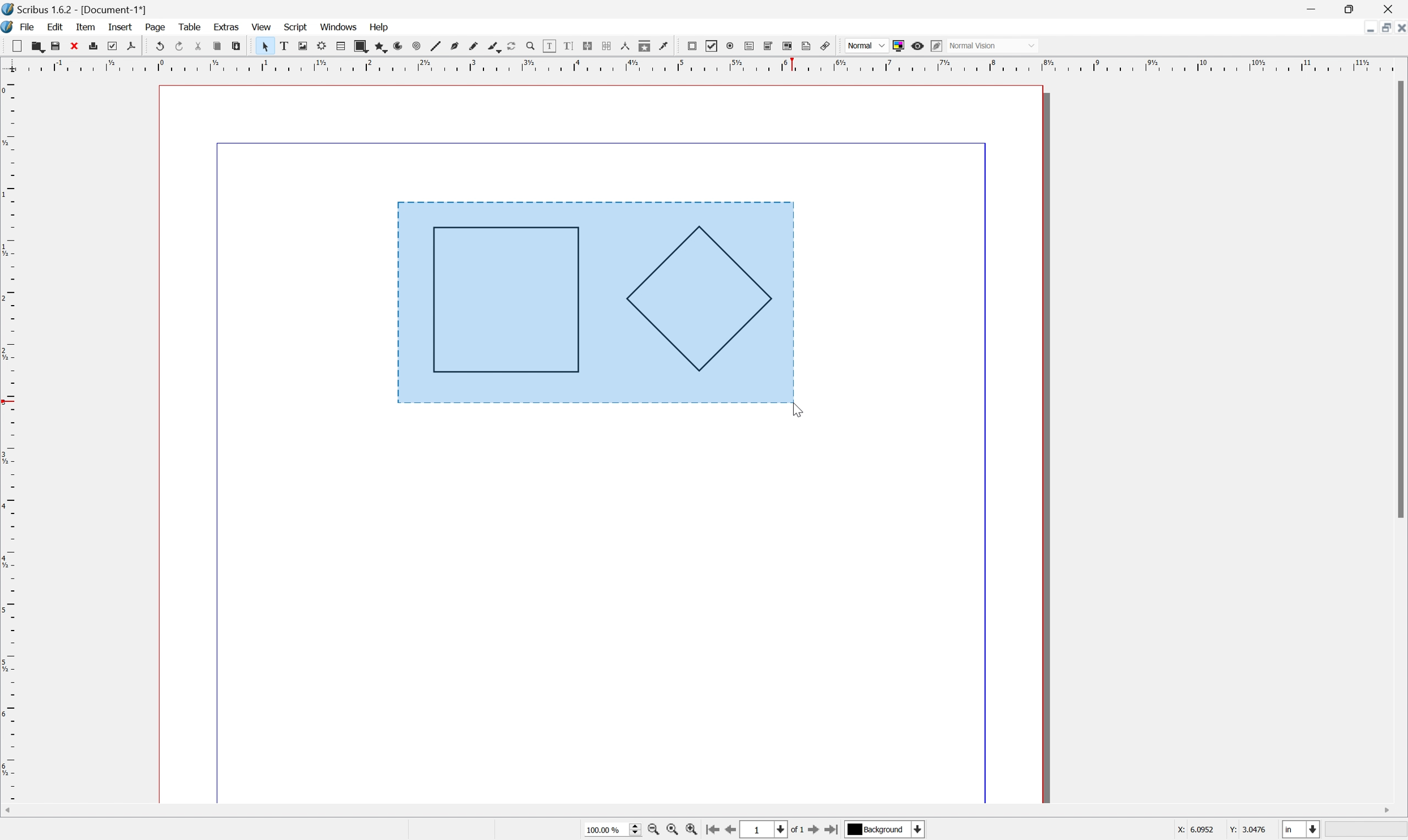  I want to click on Select current layer, so click(889, 829).